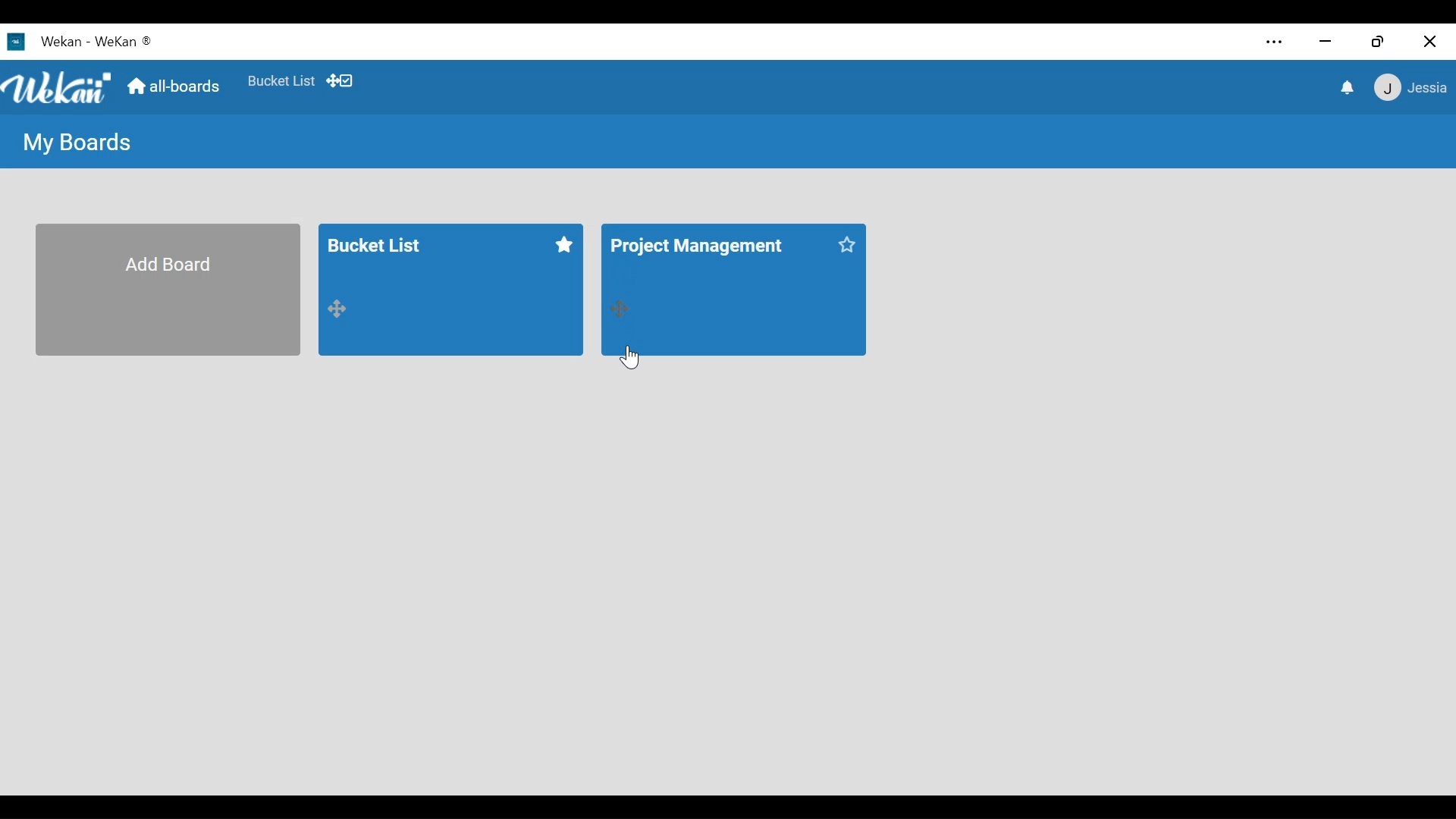  I want to click on notifications, so click(1346, 88).